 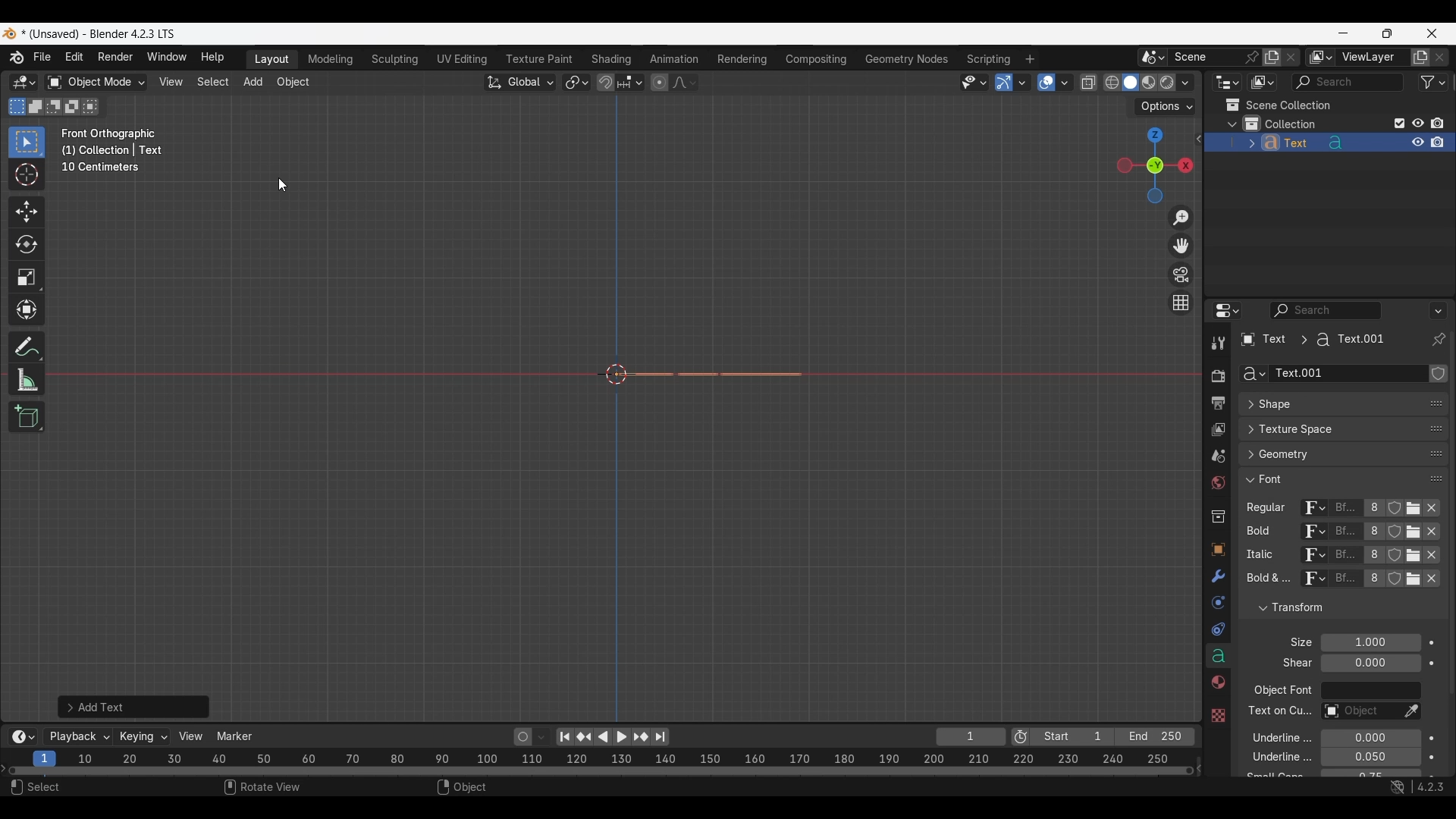 What do you see at coordinates (1064, 83) in the screenshot?
I see `Overlays` at bounding box center [1064, 83].